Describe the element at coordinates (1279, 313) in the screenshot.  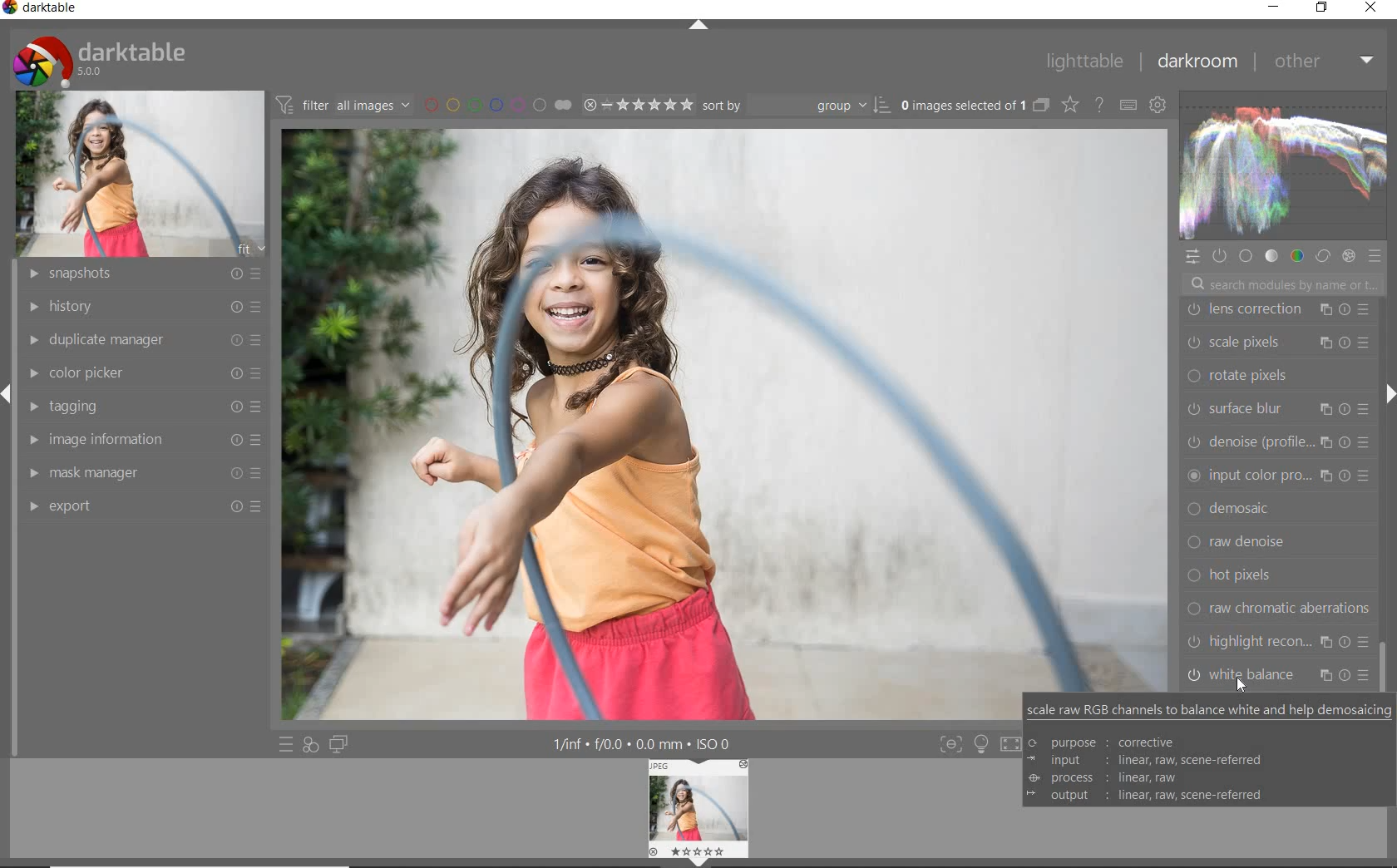
I see `watermark` at that location.